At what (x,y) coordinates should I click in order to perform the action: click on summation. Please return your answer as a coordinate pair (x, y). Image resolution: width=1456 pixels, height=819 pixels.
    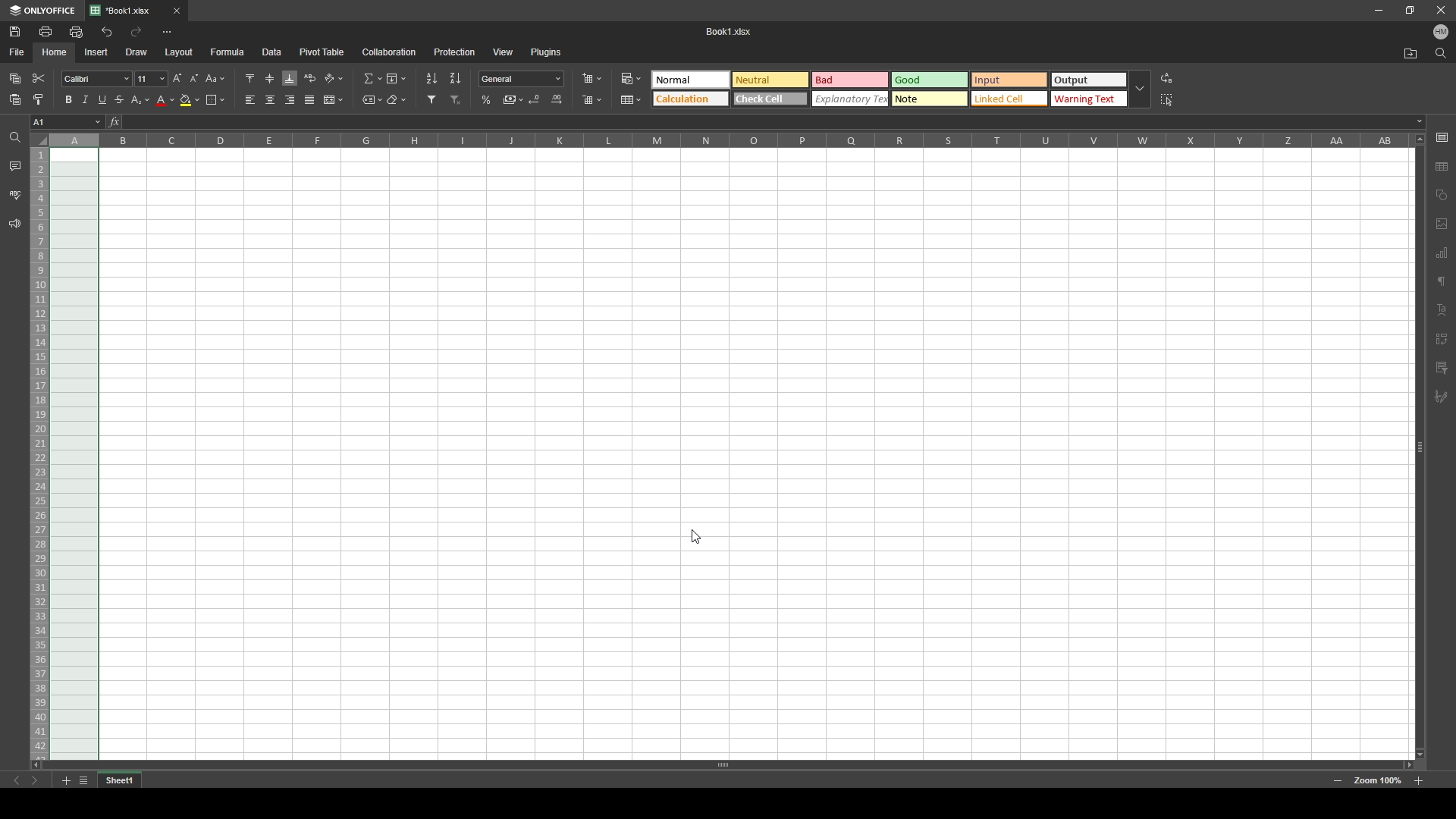
    Looking at the image, I should click on (372, 78).